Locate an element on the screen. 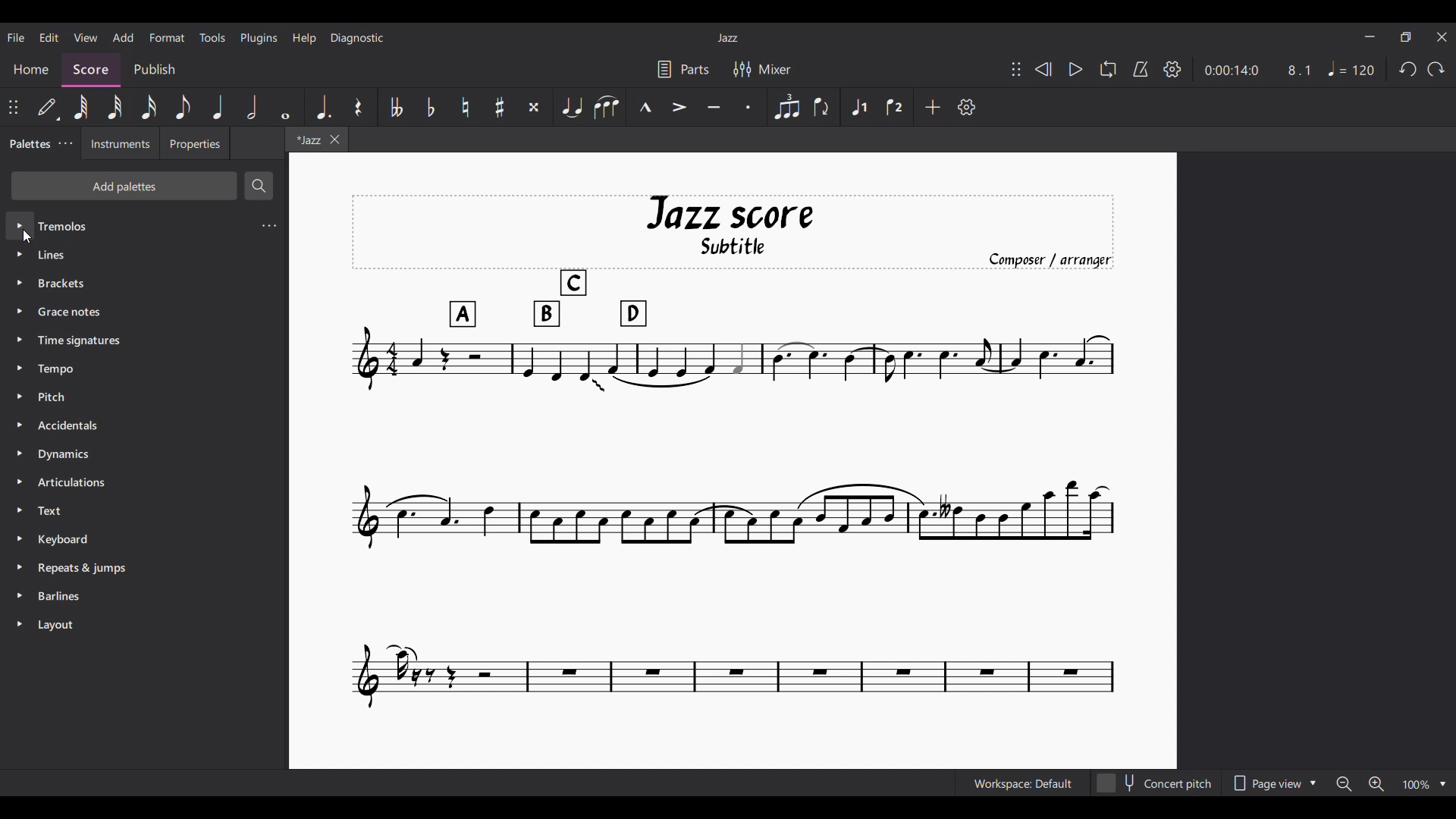  Time signature is located at coordinates (143, 340).